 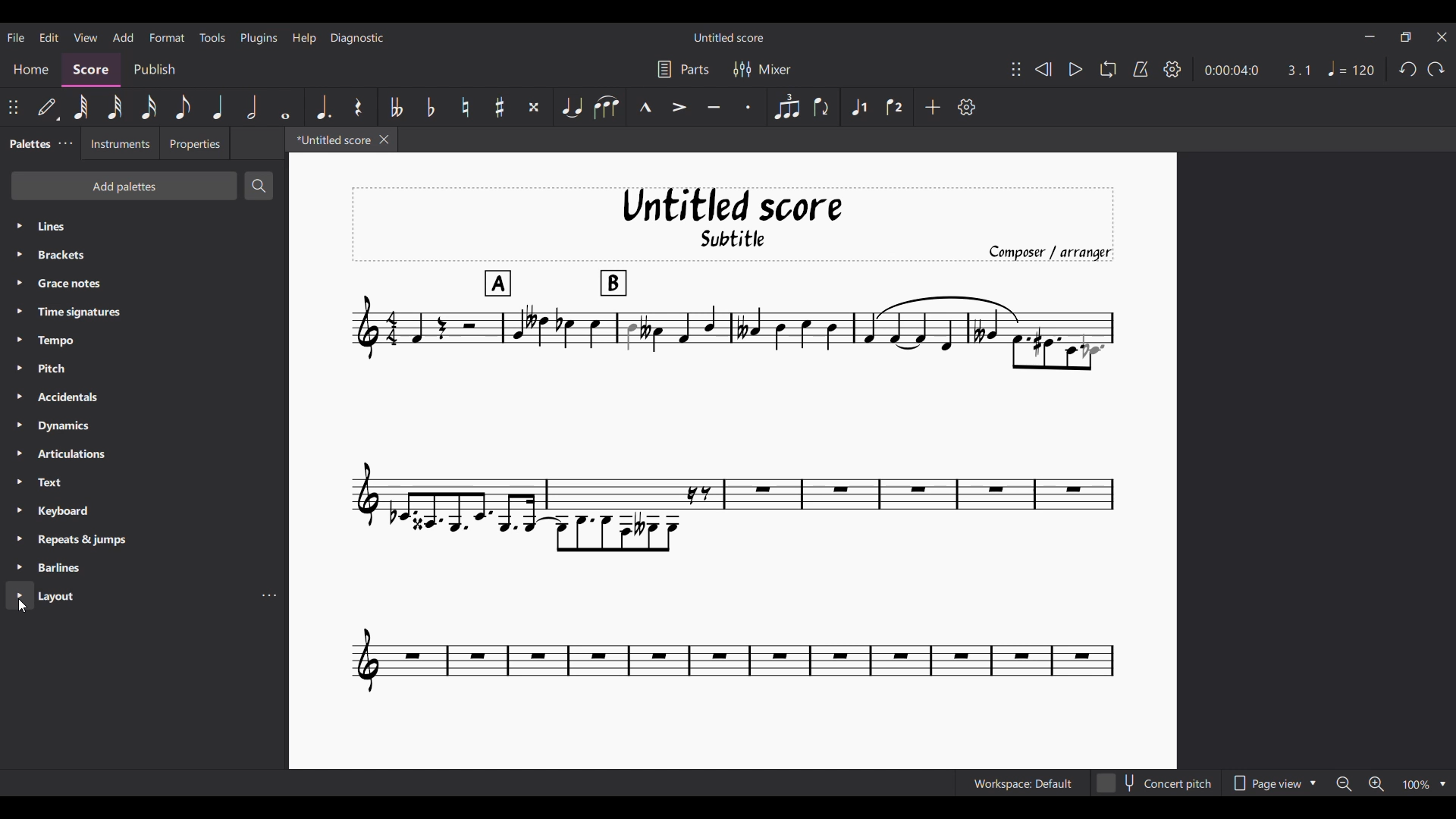 What do you see at coordinates (144, 283) in the screenshot?
I see `Grace notes` at bounding box center [144, 283].